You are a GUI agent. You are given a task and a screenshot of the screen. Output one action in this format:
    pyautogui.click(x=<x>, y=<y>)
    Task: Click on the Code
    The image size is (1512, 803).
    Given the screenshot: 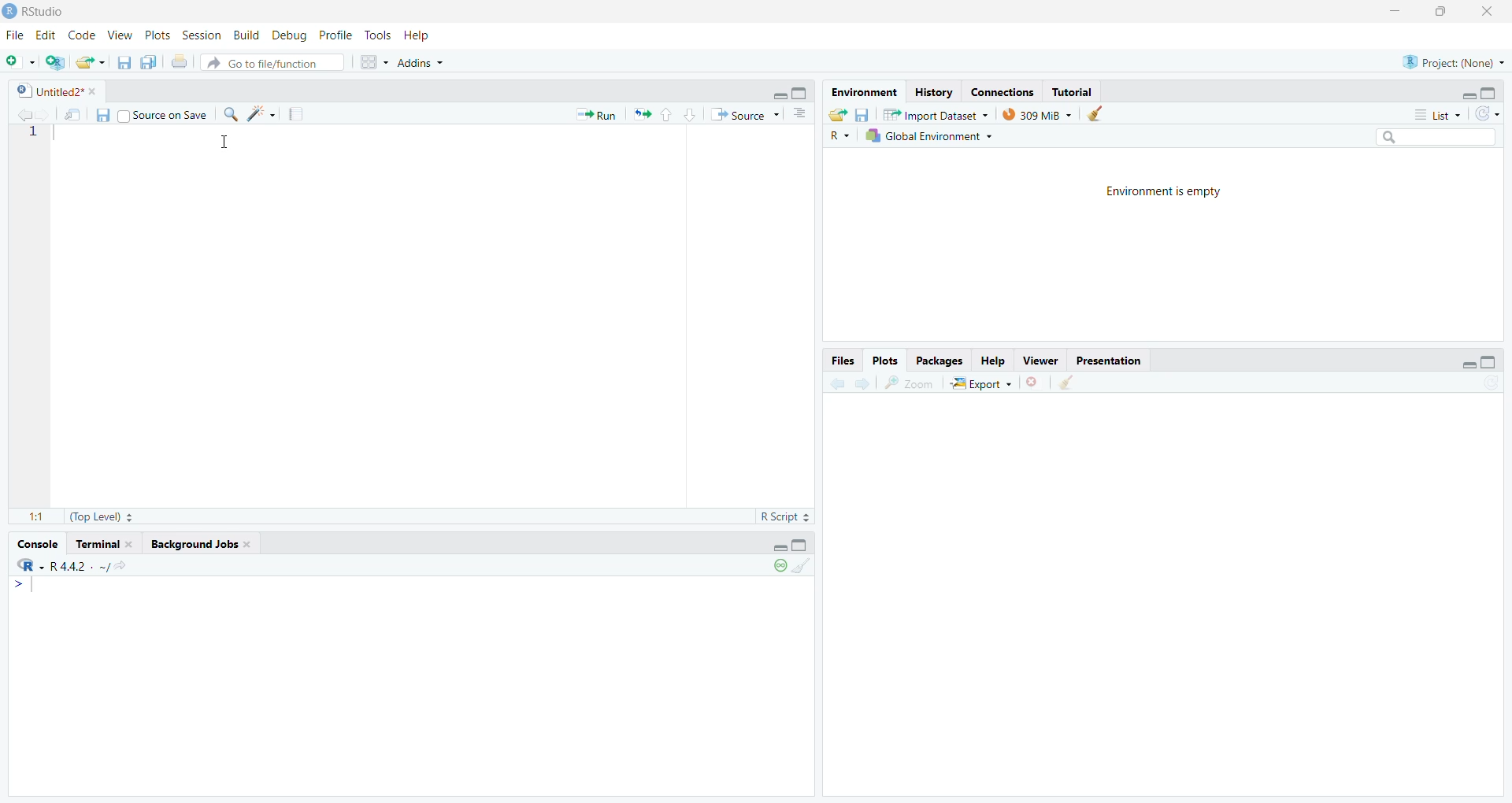 What is the action you would take?
    pyautogui.click(x=83, y=35)
    